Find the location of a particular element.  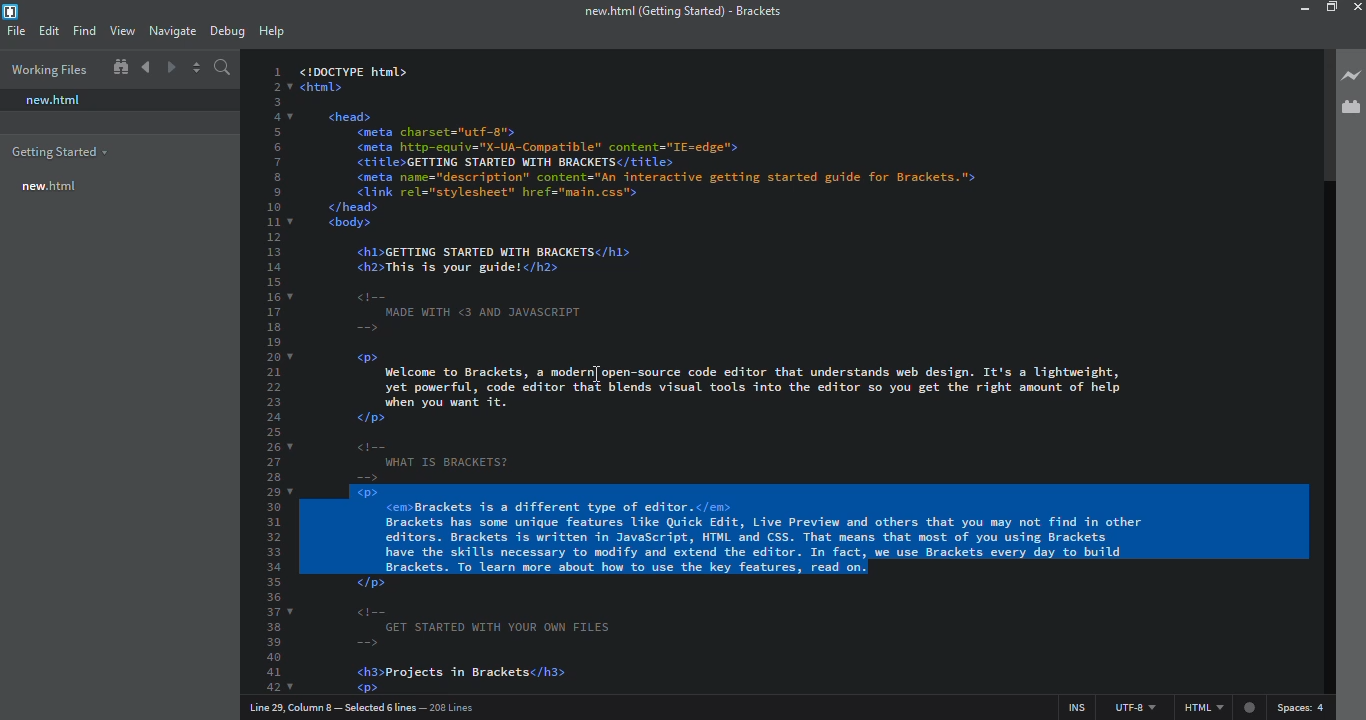

line is located at coordinates (363, 708).